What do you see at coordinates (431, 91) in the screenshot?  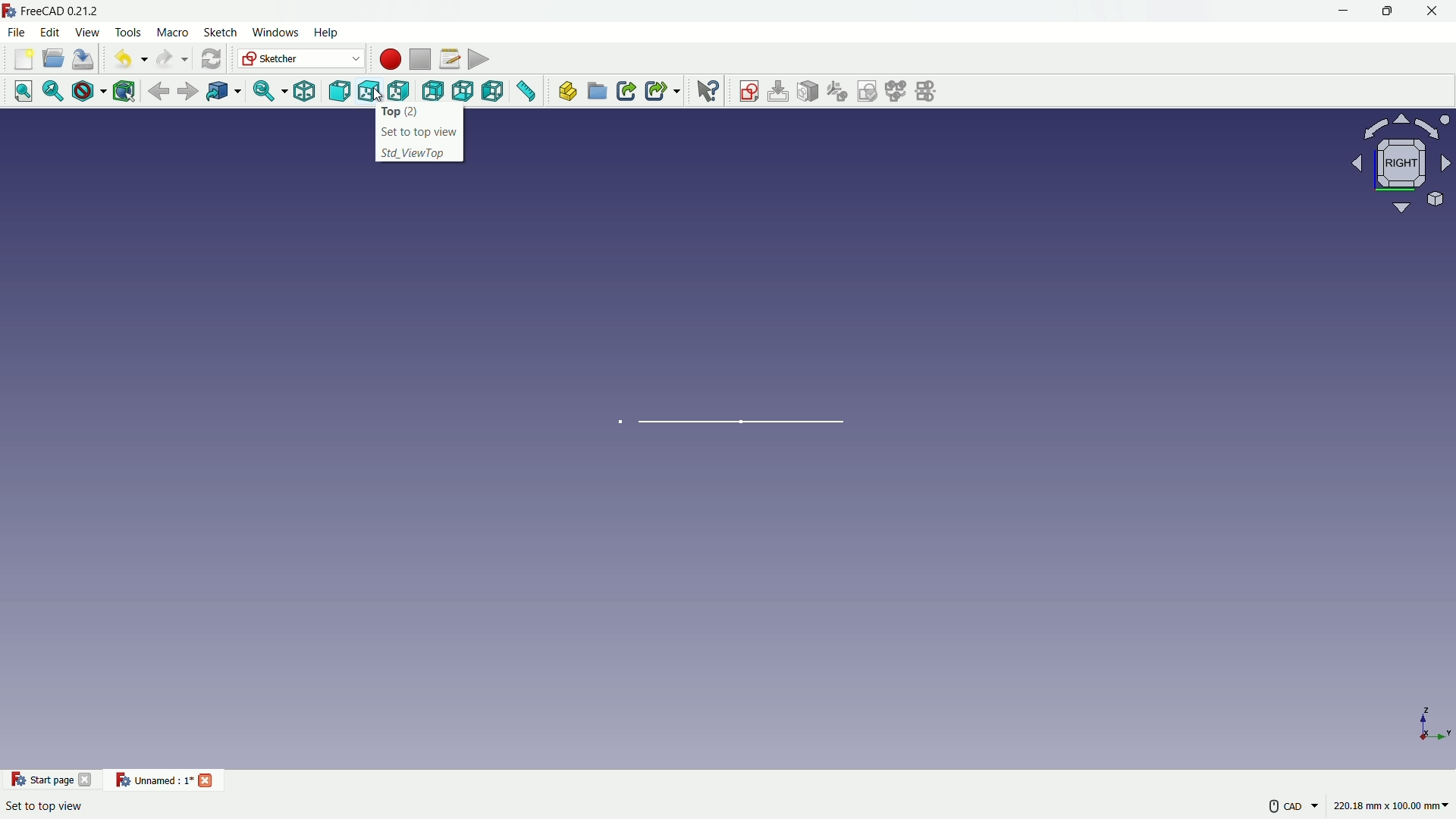 I see `rear view` at bounding box center [431, 91].